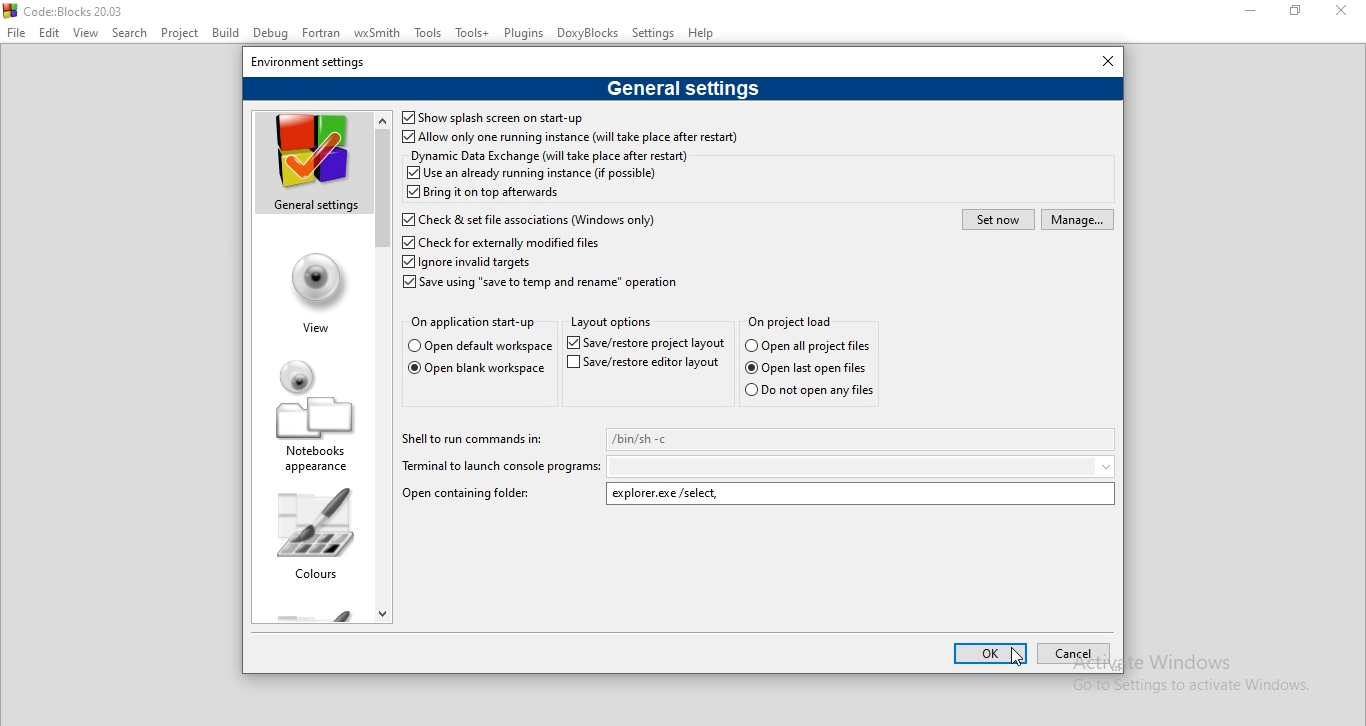 The image size is (1366, 726). Describe the element at coordinates (1078, 220) in the screenshot. I see `manage` at that location.